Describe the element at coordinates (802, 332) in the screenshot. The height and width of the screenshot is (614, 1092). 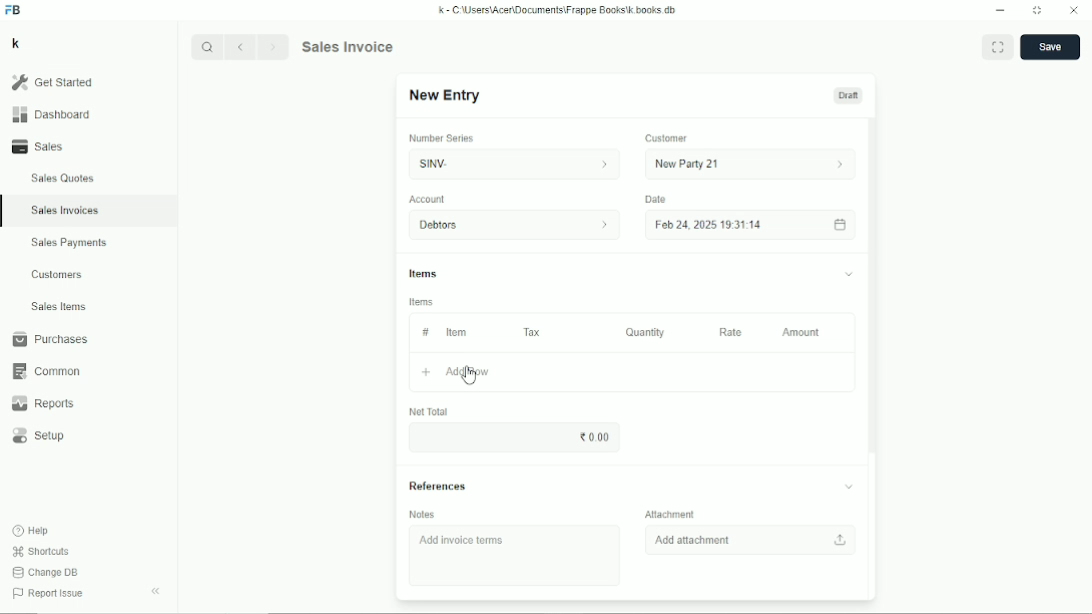
I see `Amount` at that location.